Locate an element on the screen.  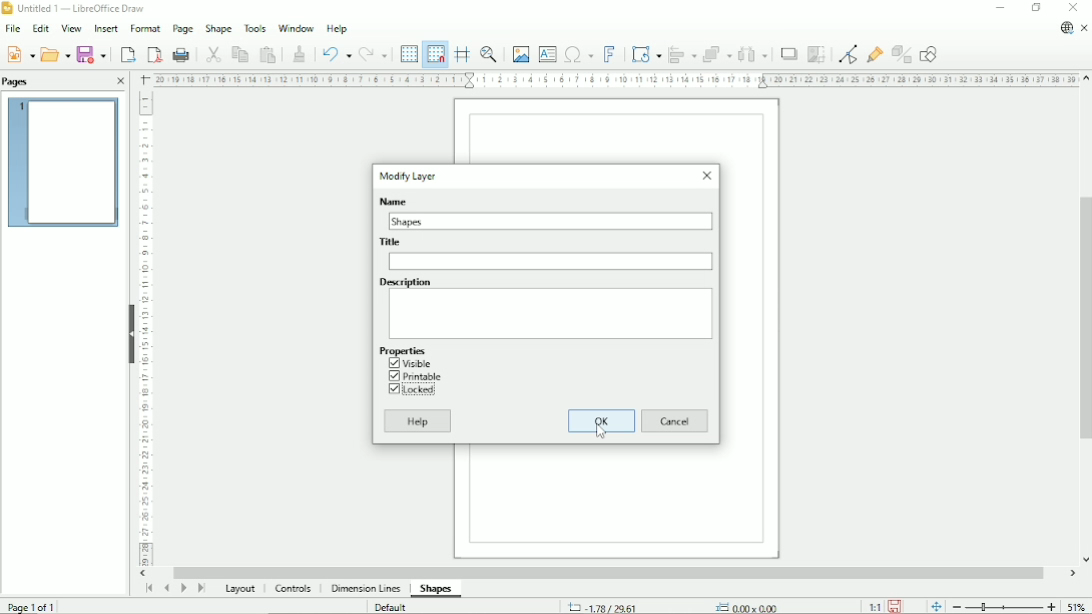
Printable is located at coordinates (414, 376).